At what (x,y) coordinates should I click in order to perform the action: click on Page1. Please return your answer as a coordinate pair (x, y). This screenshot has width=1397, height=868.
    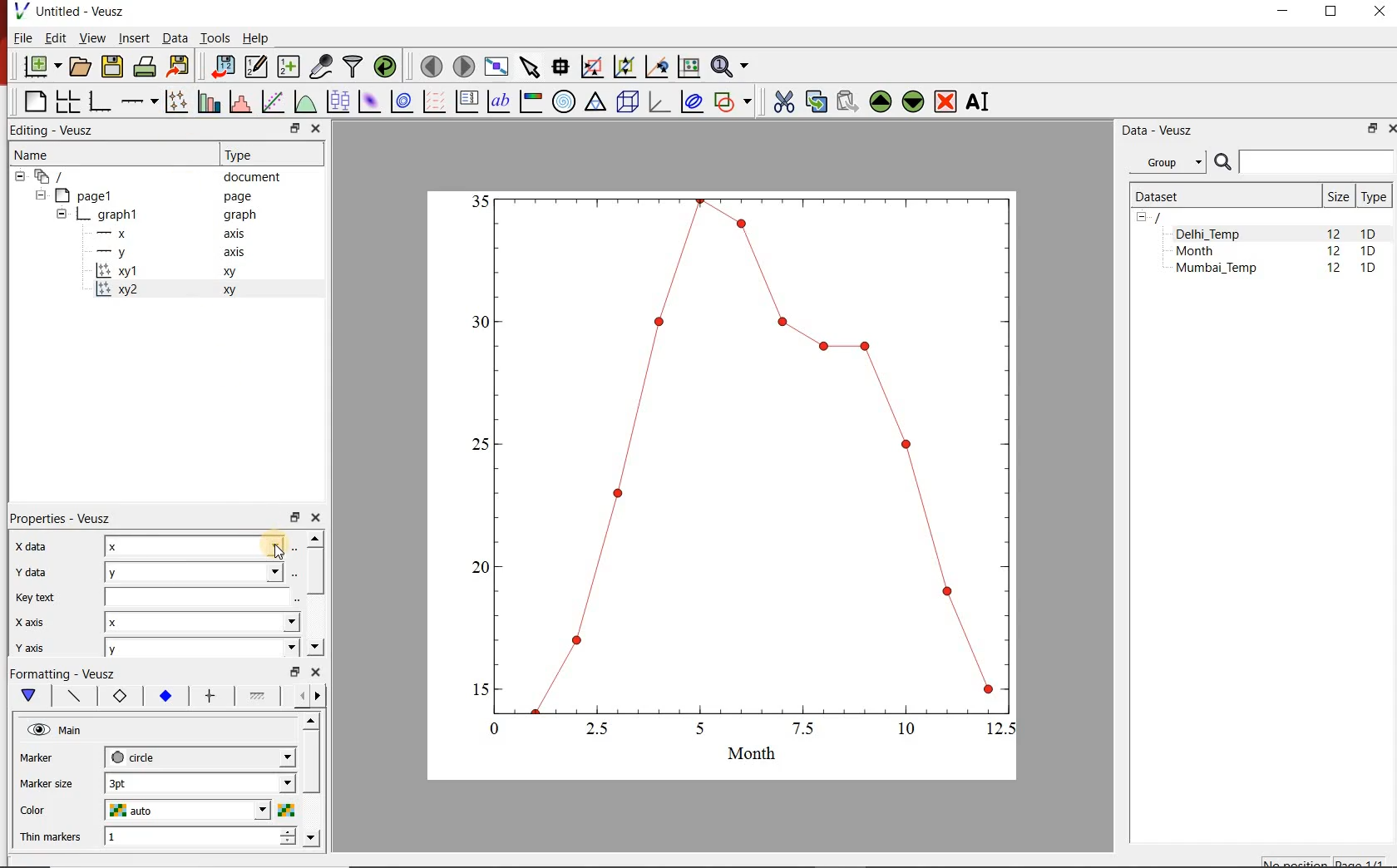
    Looking at the image, I should click on (145, 195).